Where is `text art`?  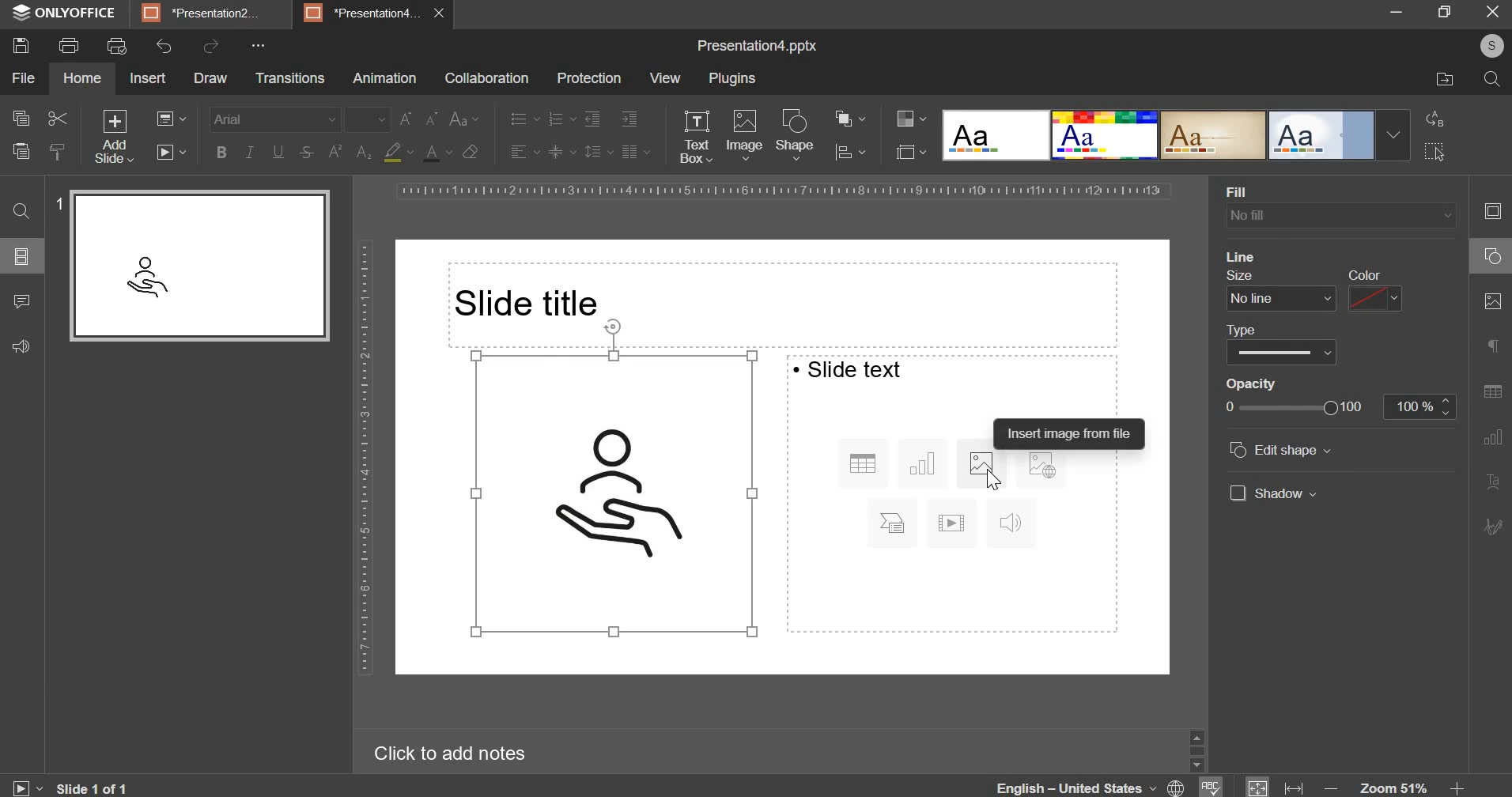 text art is located at coordinates (1491, 483).